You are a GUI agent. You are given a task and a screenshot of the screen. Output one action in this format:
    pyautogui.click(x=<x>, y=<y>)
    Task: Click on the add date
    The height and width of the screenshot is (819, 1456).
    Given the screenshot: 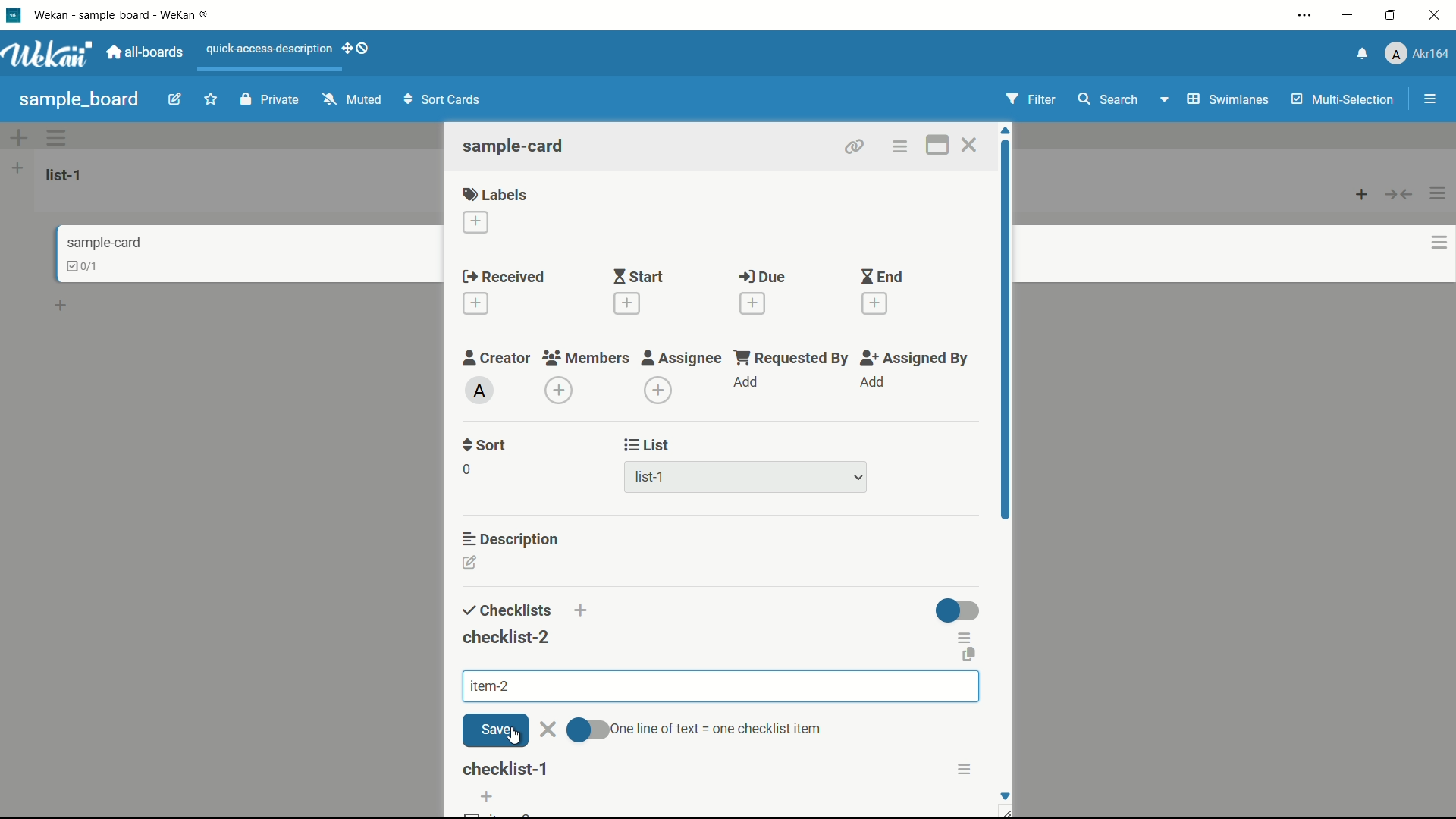 What is the action you would take?
    pyautogui.click(x=625, y=303)
    